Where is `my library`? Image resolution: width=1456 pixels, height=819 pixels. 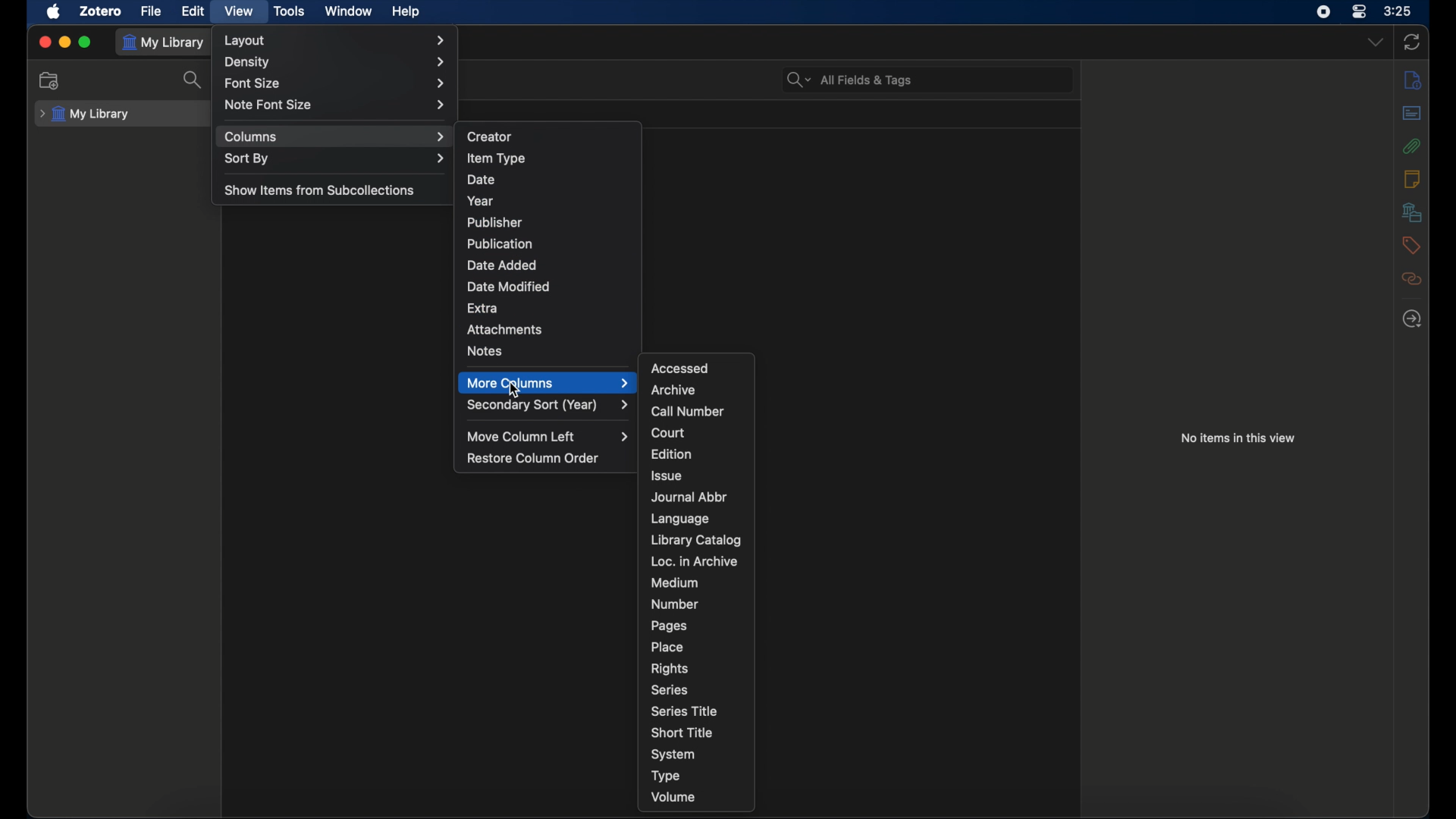 my library is located at coordinates (85, 115).